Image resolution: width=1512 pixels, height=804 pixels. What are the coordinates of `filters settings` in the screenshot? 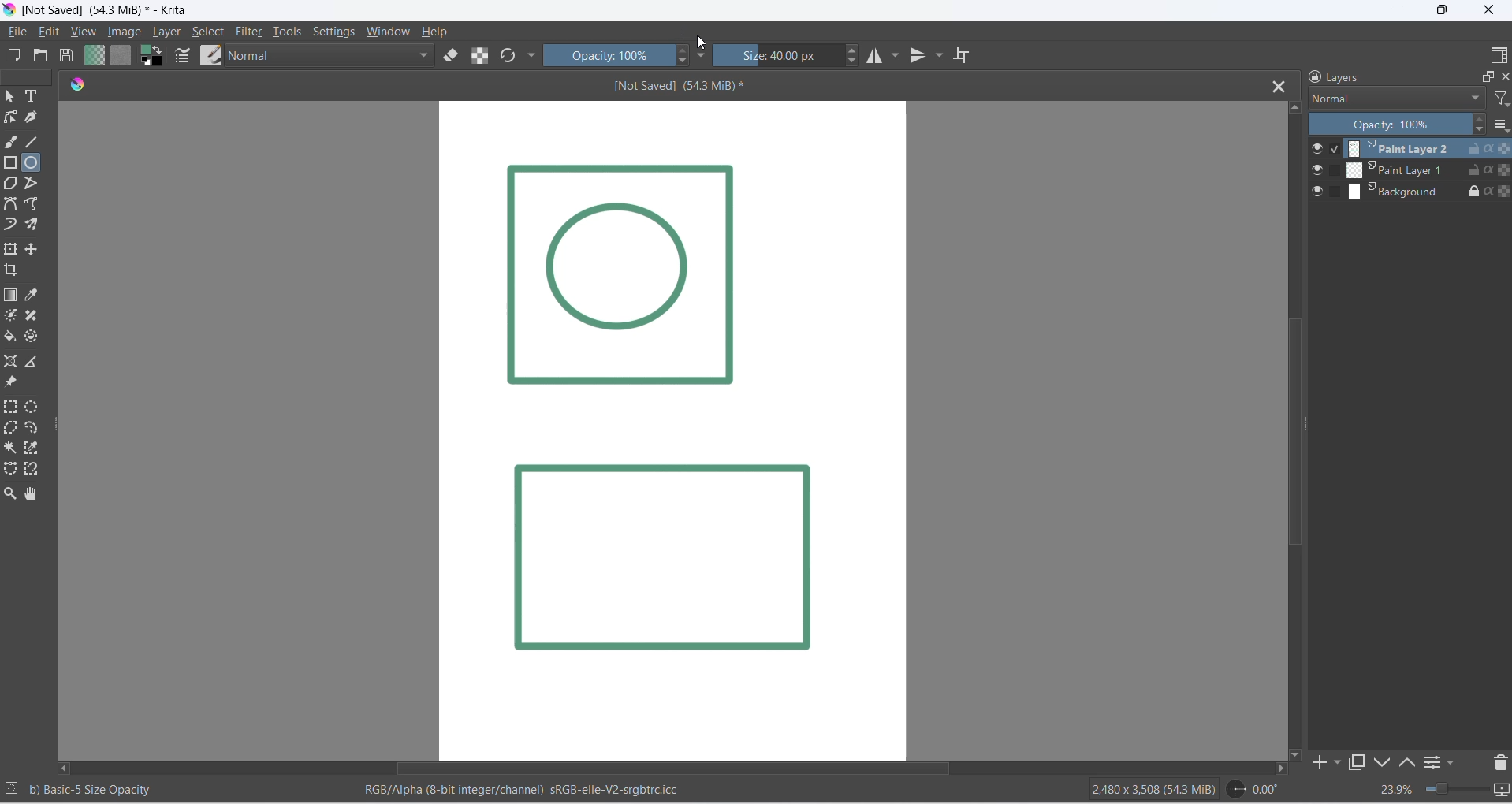 It's located at (1455, 761).